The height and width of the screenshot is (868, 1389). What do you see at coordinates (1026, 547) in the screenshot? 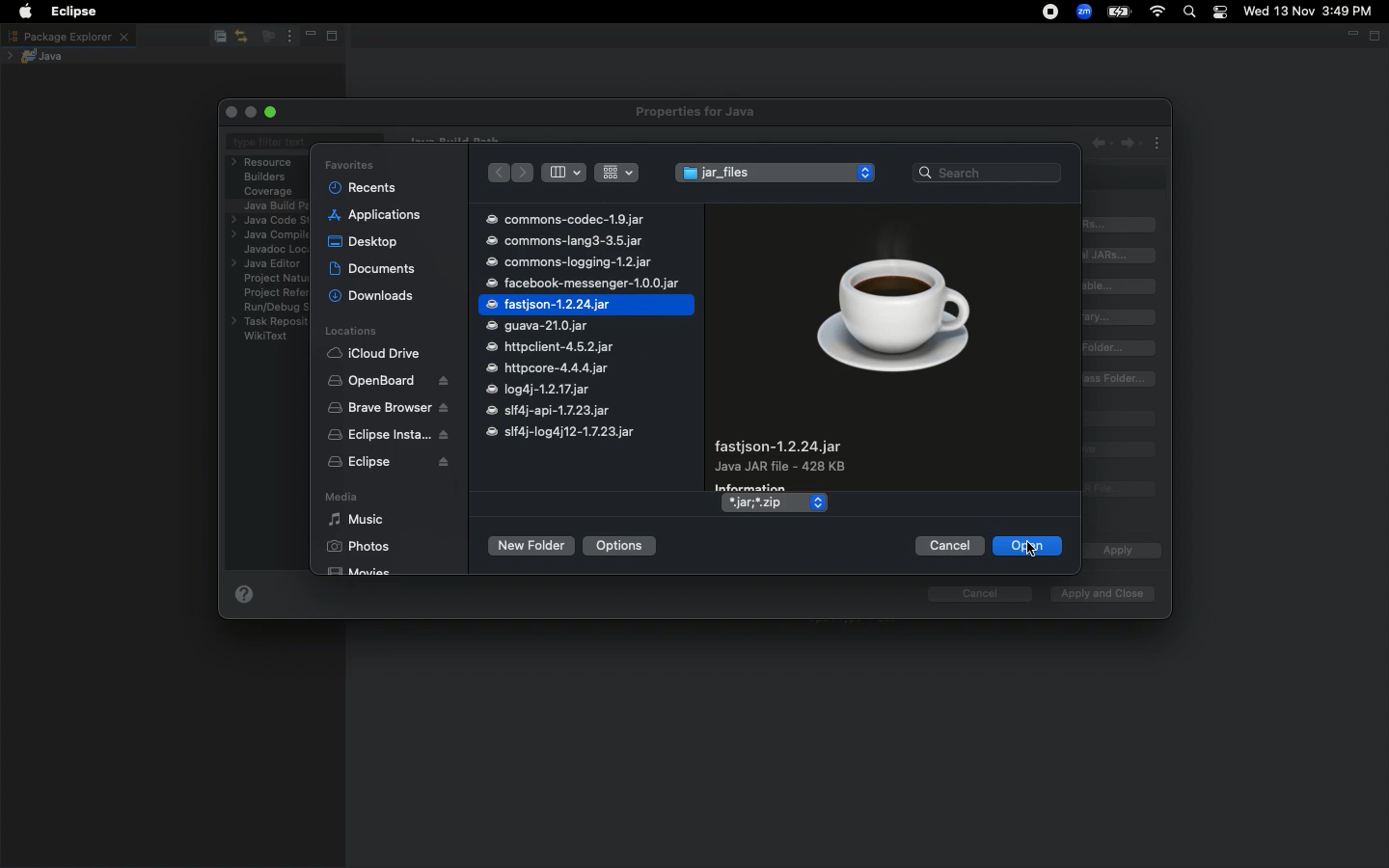
I see `Open` at bounding box center [1026, 547].